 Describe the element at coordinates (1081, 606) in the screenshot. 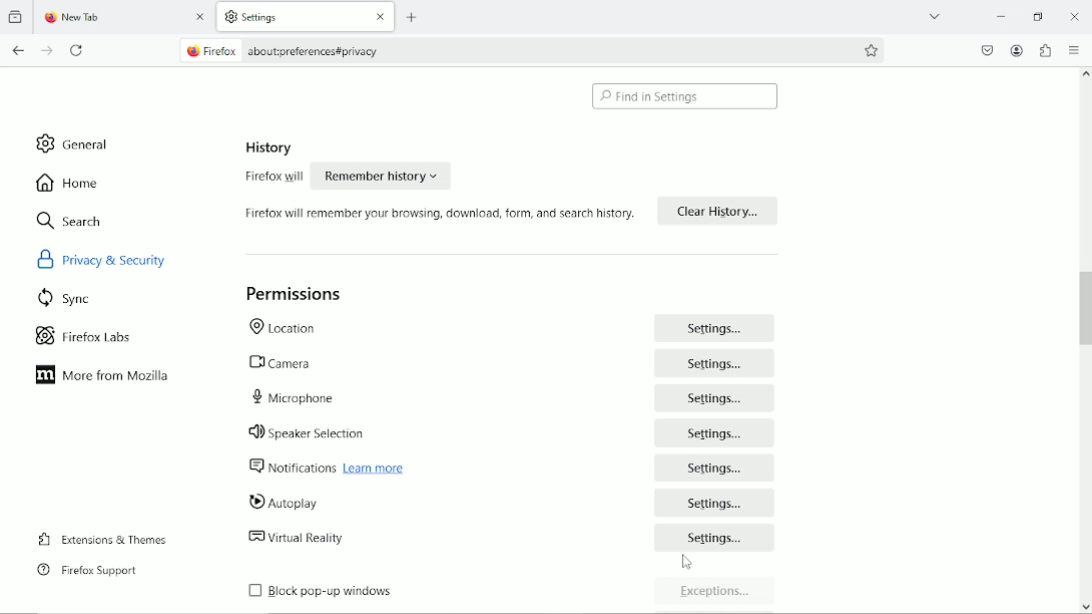

I see `scroll down` at that location.